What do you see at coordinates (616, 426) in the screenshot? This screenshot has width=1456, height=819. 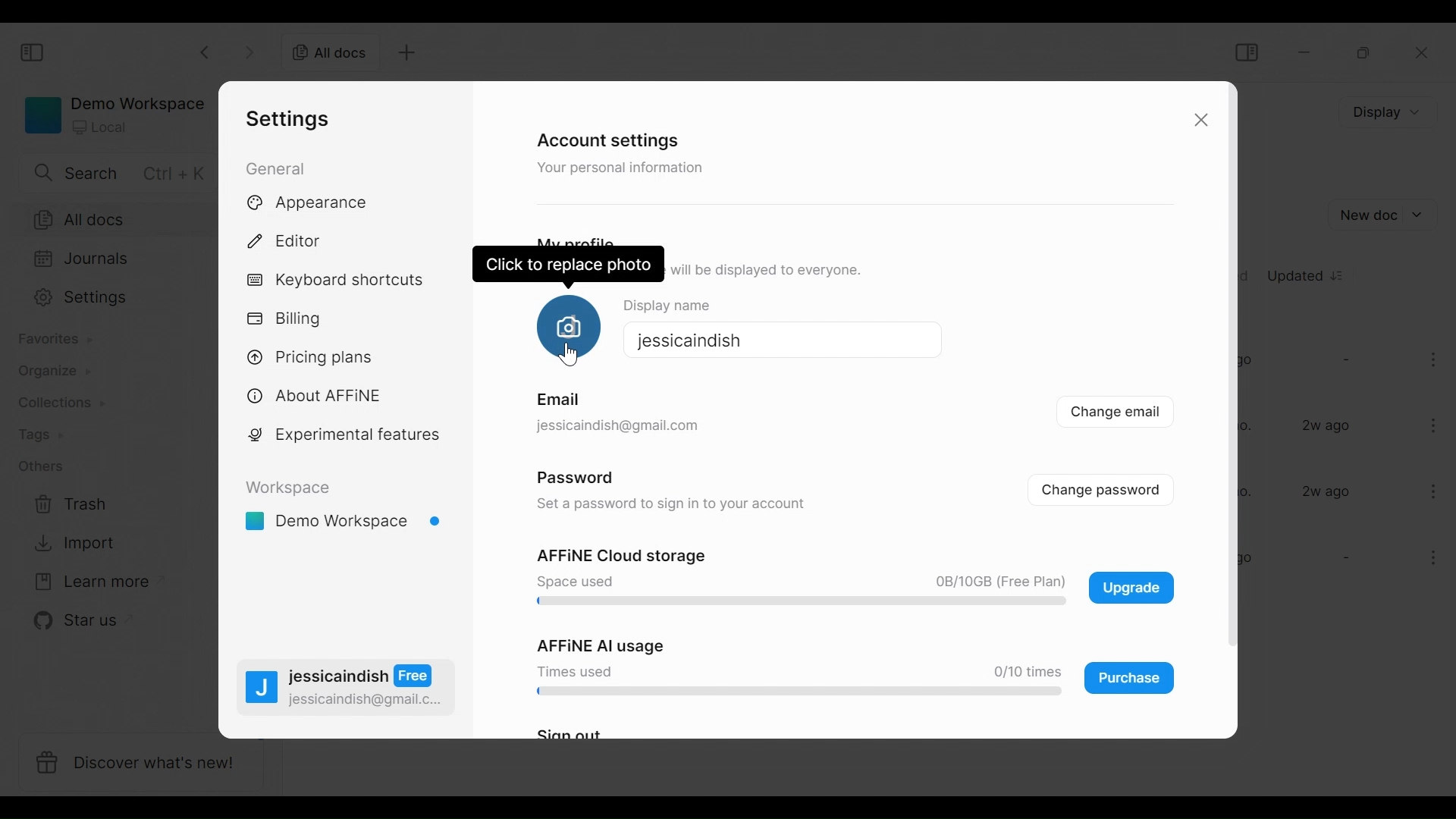 I see `` at bounding box center [616, 426].